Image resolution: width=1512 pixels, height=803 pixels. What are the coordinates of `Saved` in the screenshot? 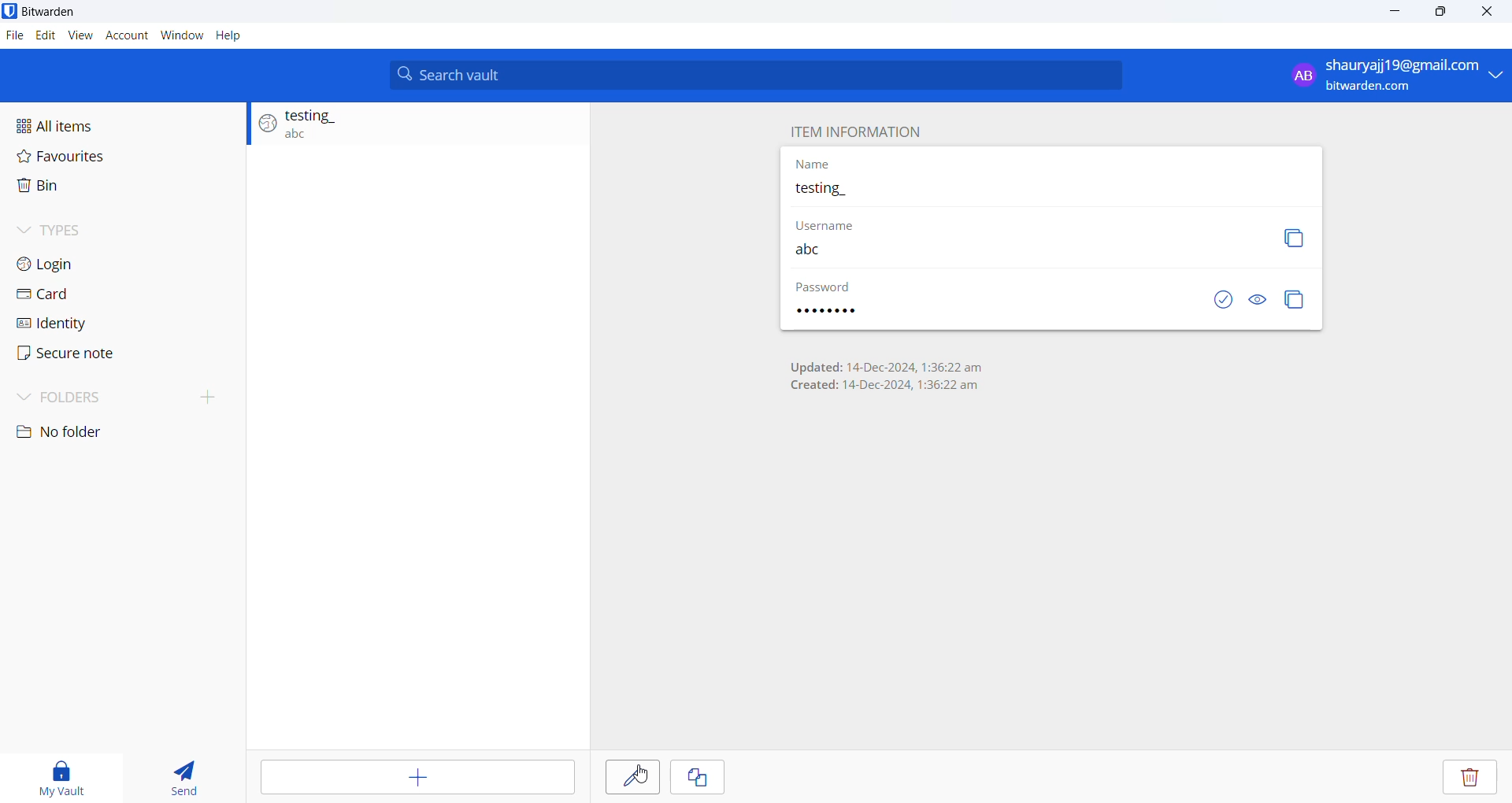 It's located at (1209, 301).